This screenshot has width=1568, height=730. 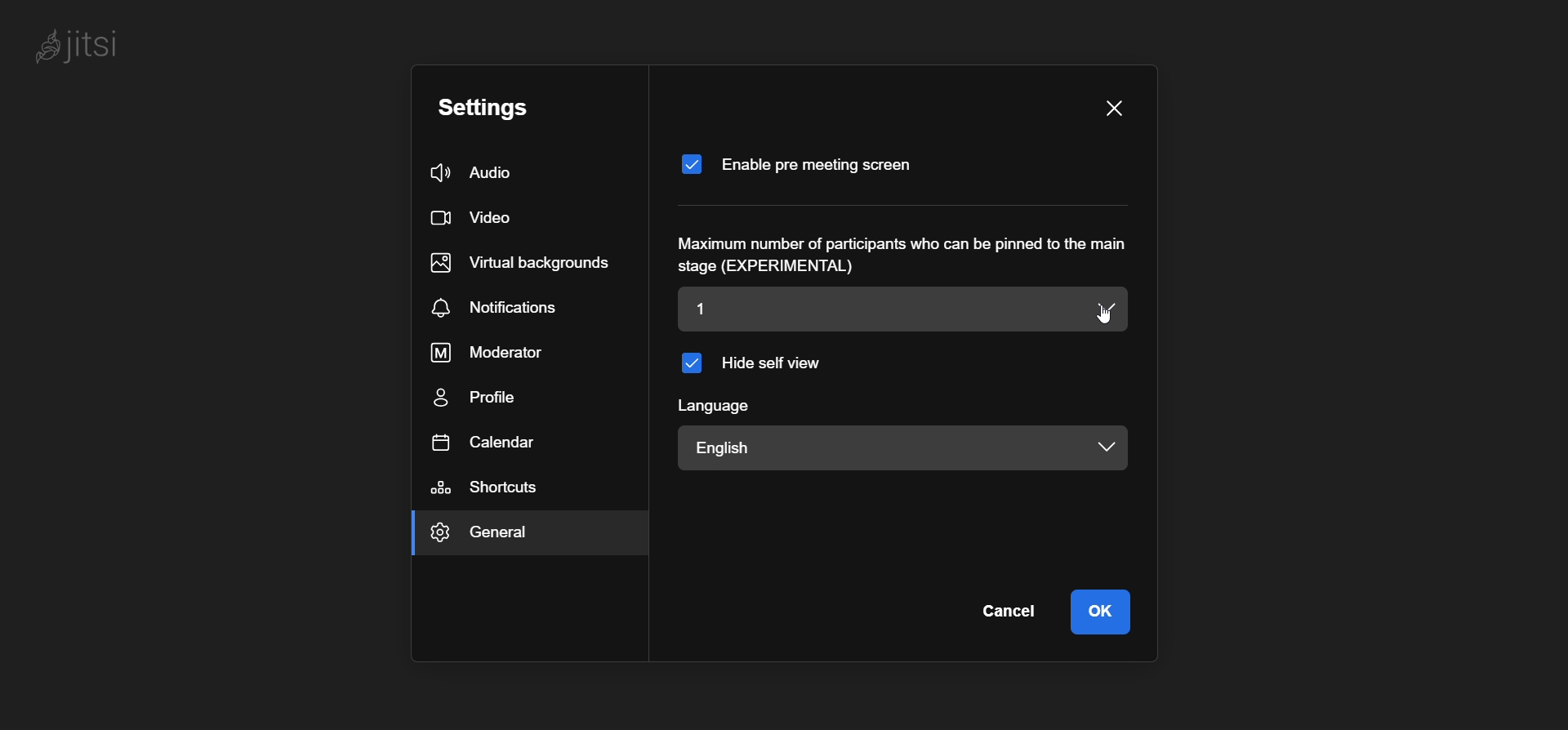 What do you see at coordinates (1099, 445) in the screenshot?
I see `language dropdown` at bounding box center [1099, 445].